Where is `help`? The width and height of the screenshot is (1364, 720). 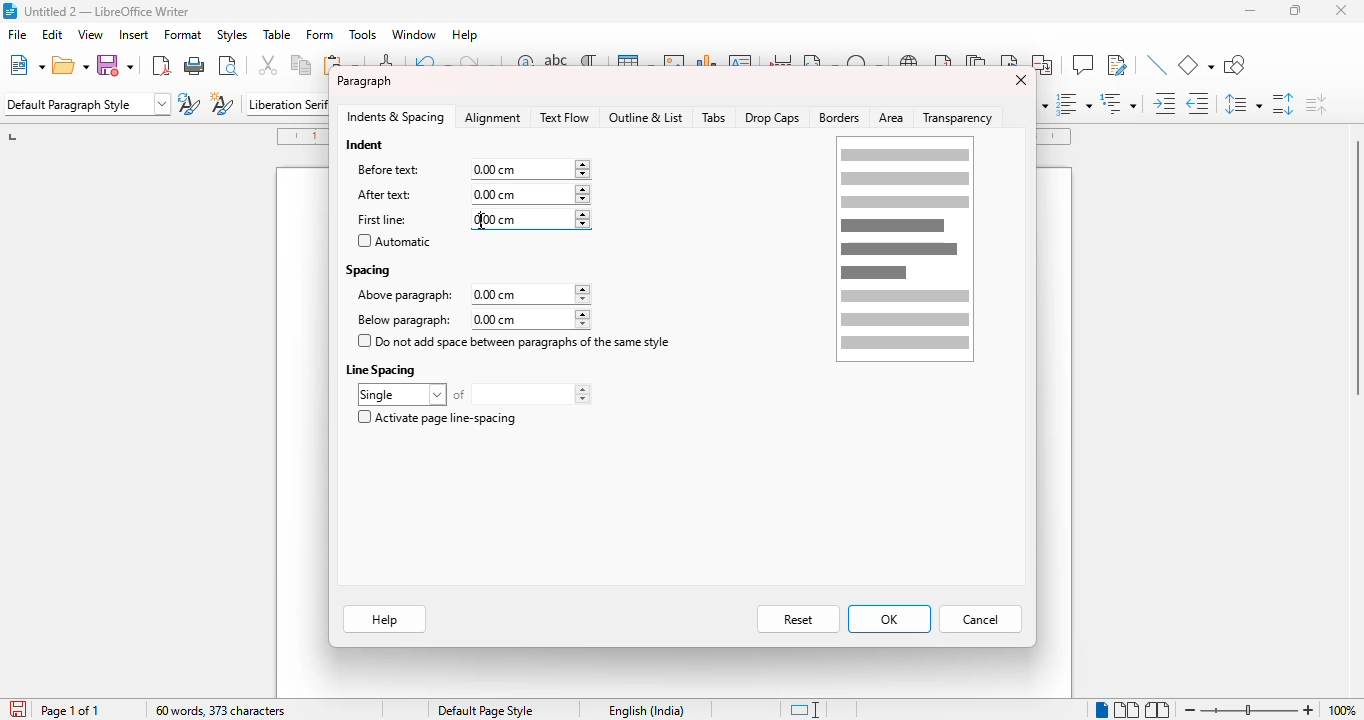 help is located at coordinates (466, 35).